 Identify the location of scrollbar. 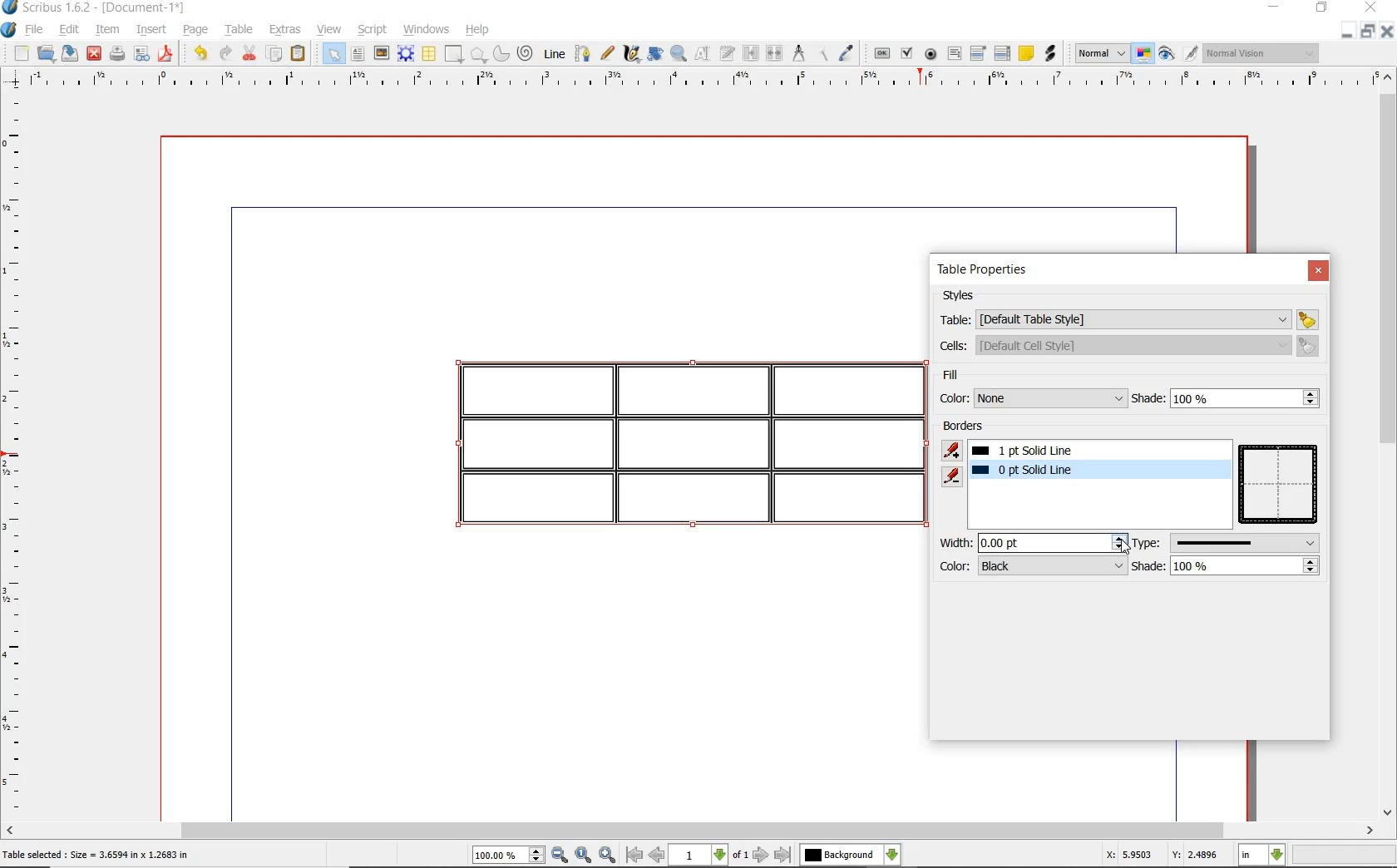
(1389, 442).